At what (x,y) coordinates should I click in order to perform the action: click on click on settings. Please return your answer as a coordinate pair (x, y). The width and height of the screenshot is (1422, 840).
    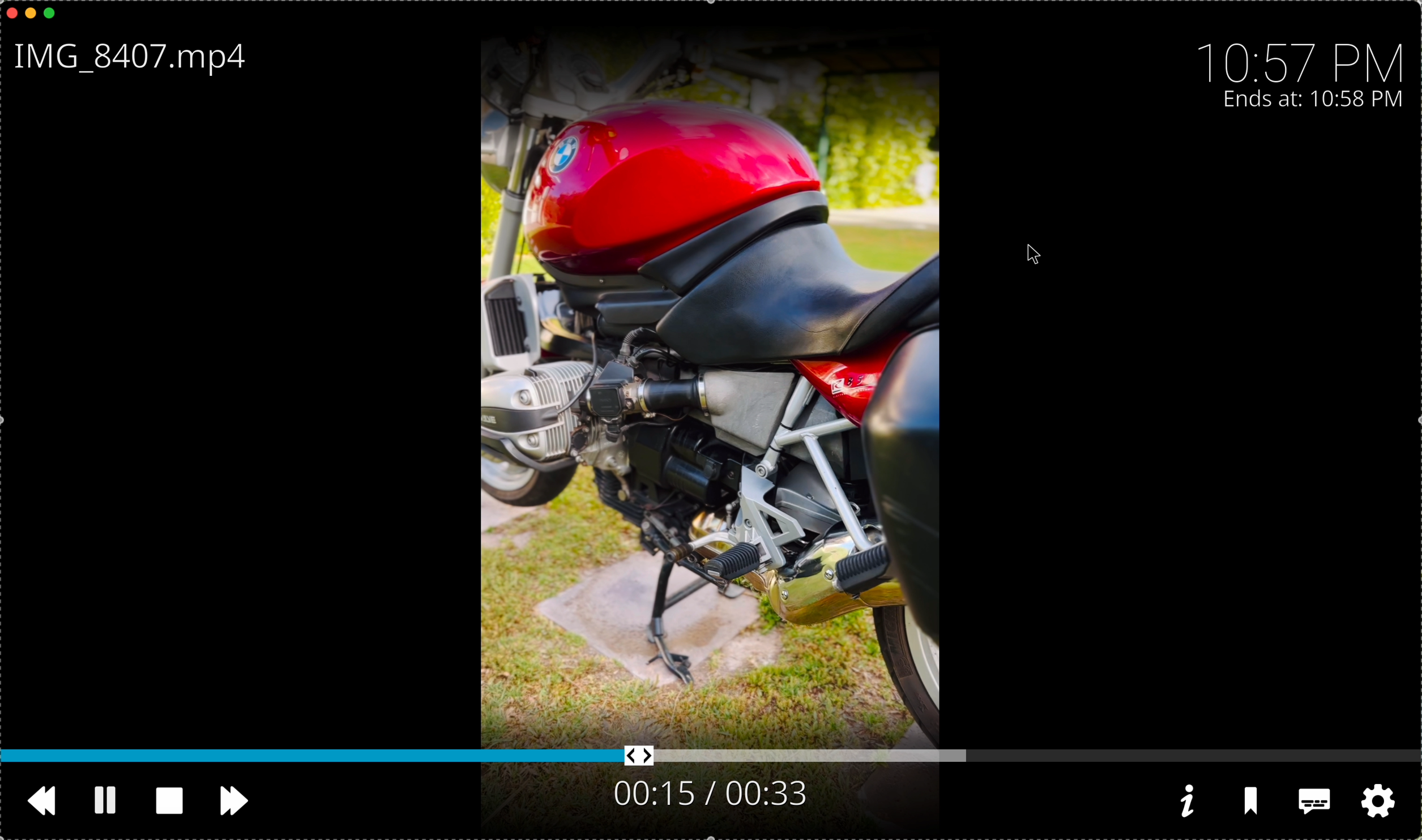
    Looking at the image, I should click on (1375, 802).